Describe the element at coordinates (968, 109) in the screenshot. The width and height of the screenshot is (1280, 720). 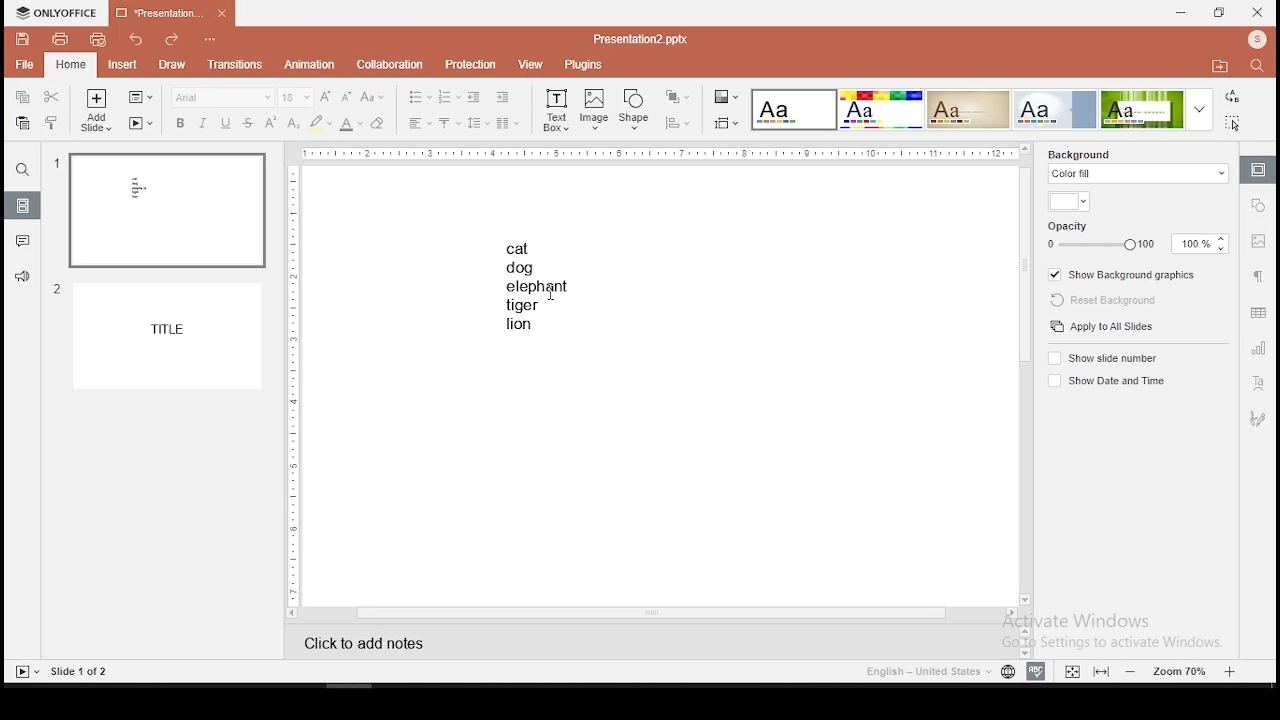
I see `theme ` at that location.